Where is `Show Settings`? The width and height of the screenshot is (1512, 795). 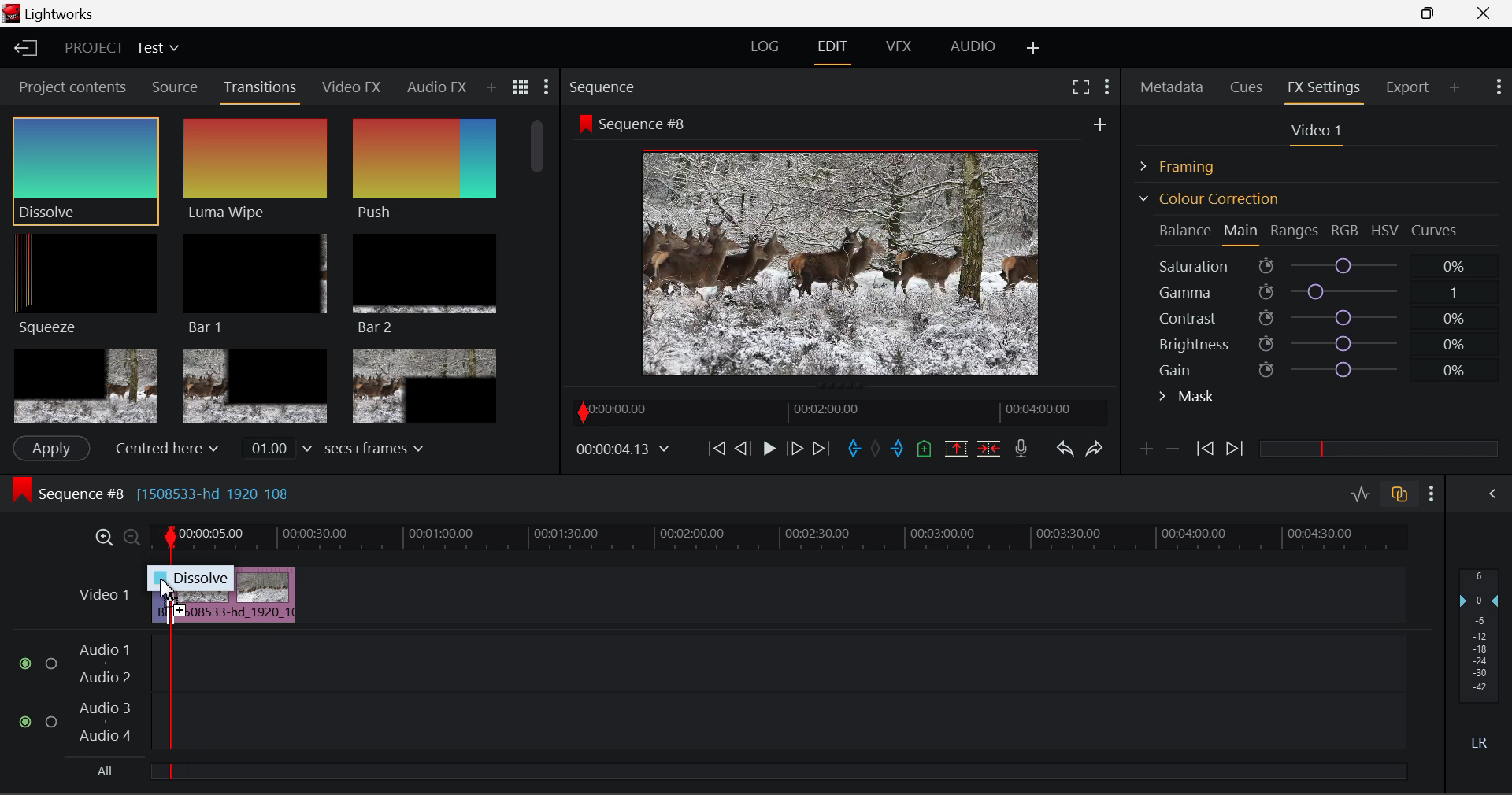
Show Settings is located at coordinates (545, 91).